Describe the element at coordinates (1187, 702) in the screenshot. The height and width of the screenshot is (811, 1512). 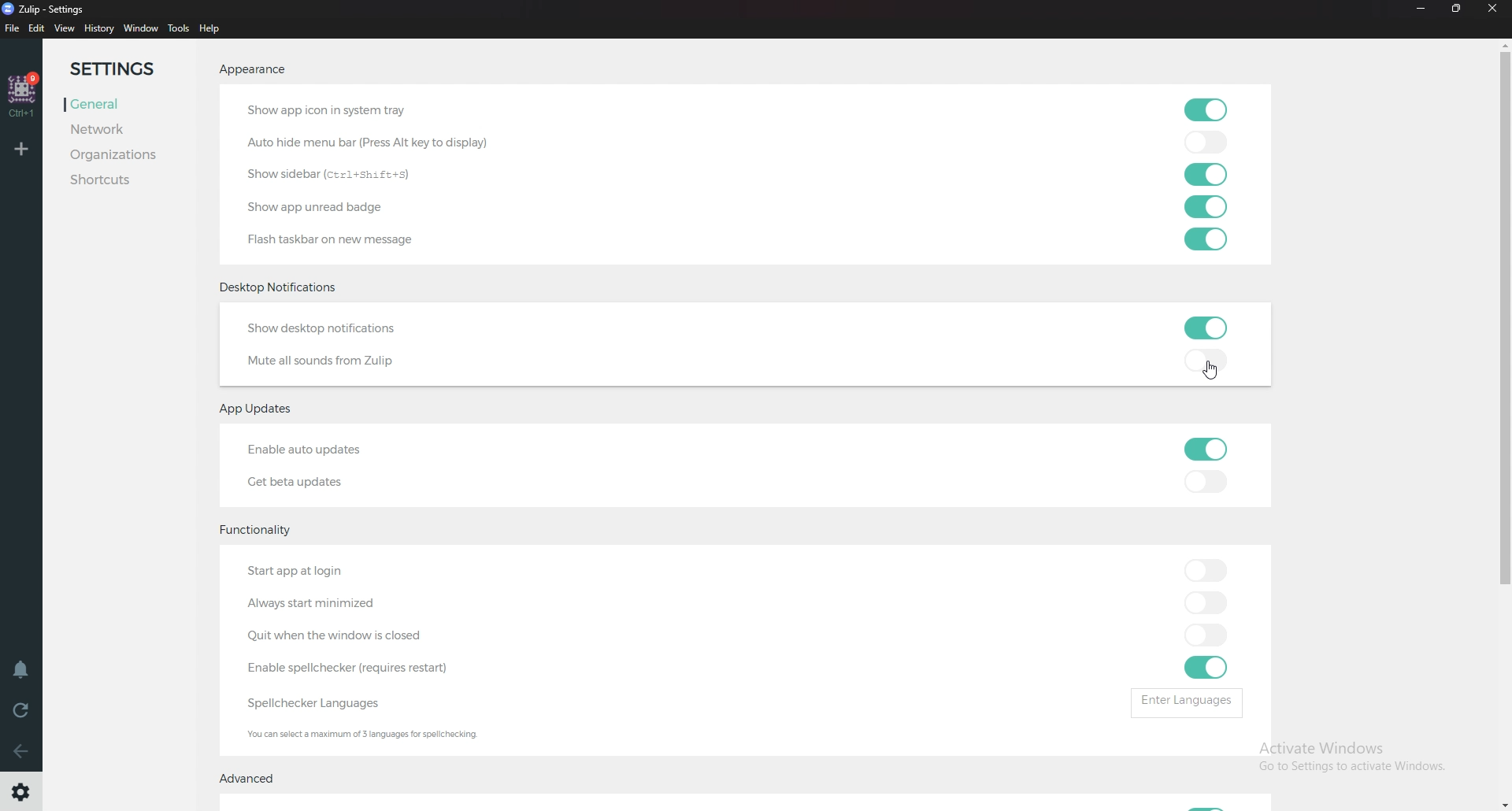
I see `enter languages` at that location.